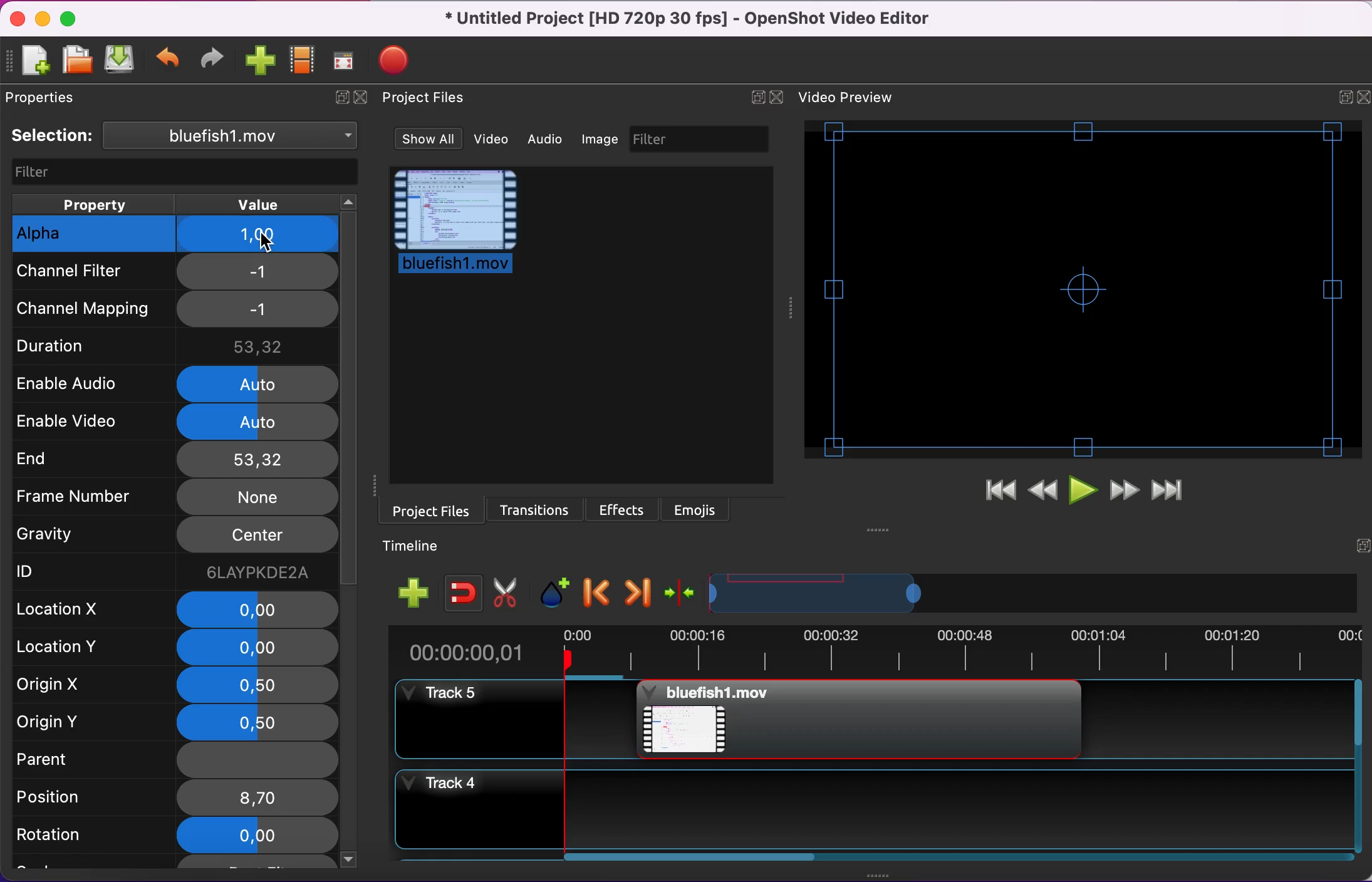  What do you see at coordinates (703, 140) in the screenshot?
I see `filter` at bounding box center [703, 140].